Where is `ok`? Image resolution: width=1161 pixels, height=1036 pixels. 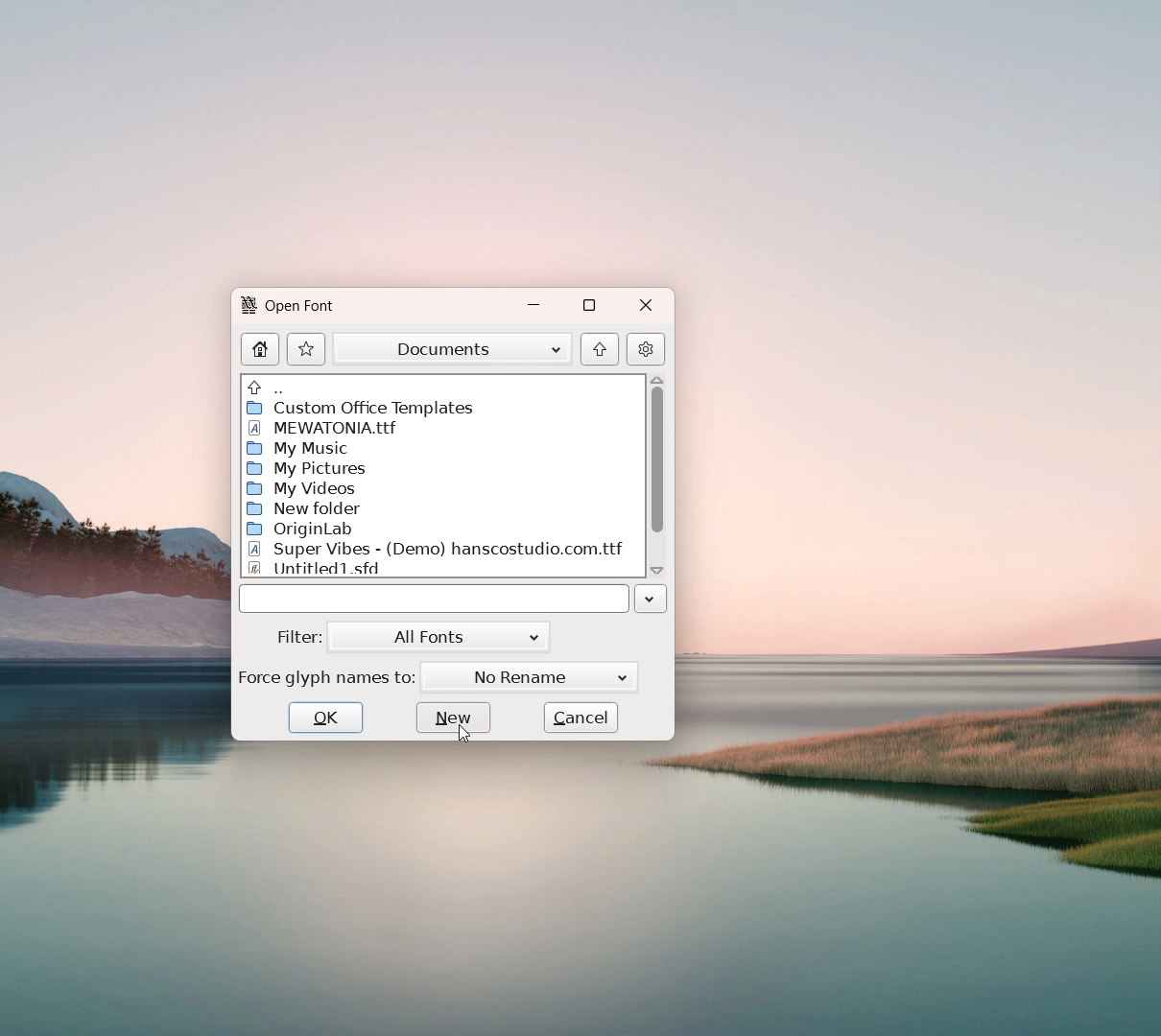
ok is located at coordinates (327, 717).